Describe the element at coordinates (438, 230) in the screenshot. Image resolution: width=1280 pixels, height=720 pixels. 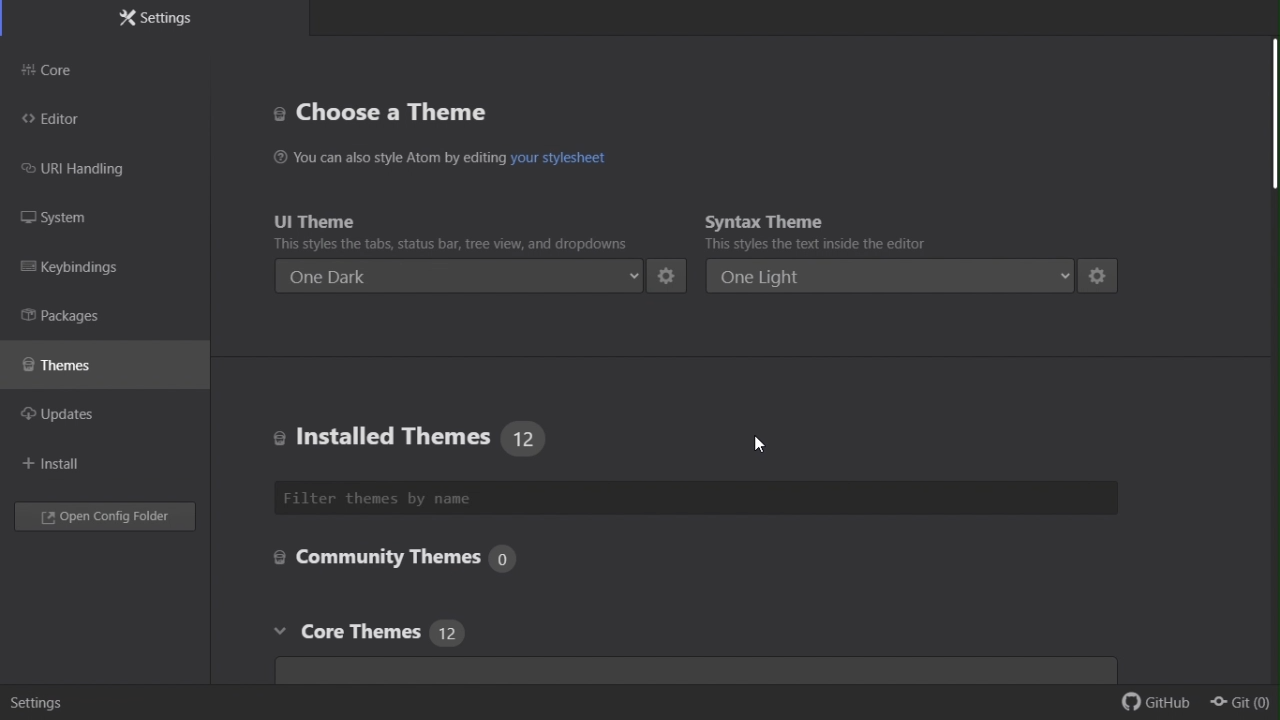
I see `You I theme` at that location.